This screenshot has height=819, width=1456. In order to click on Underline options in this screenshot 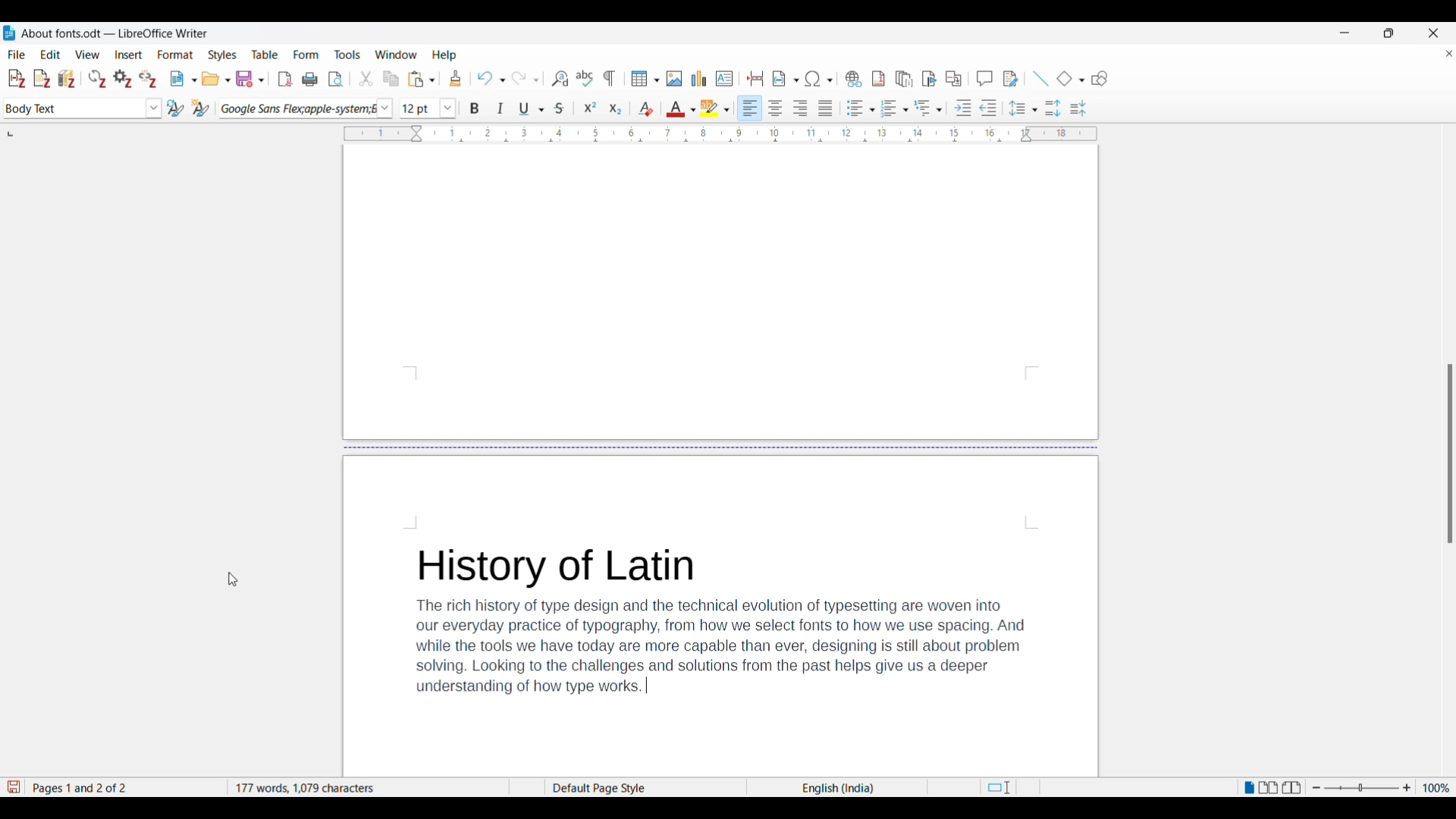, I will do `click(531, 108)`.